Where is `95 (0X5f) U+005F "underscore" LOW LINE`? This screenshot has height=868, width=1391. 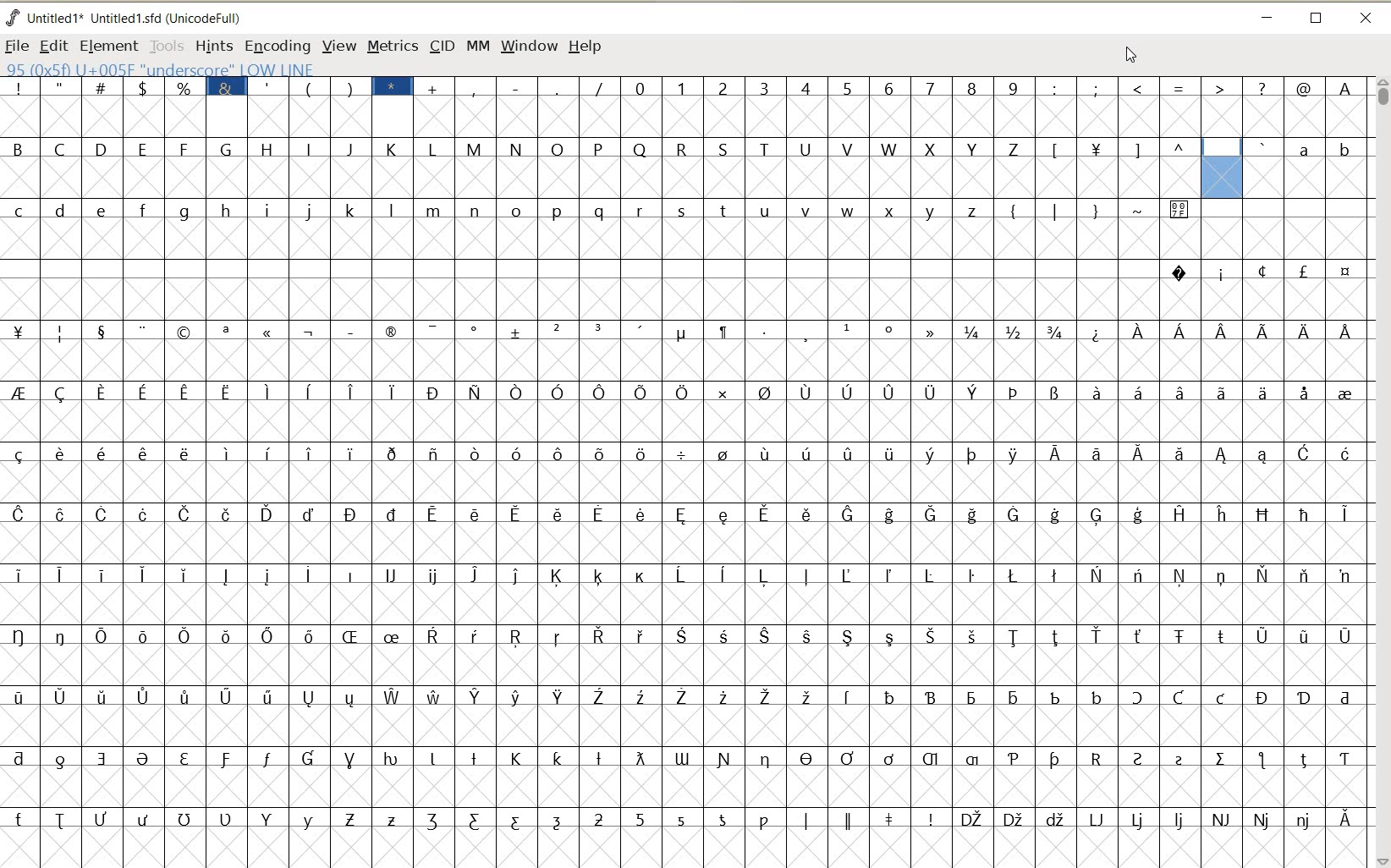 95 (0X5f) U+005F "underscore" LOW LINE is located at coordinates (159, 69).